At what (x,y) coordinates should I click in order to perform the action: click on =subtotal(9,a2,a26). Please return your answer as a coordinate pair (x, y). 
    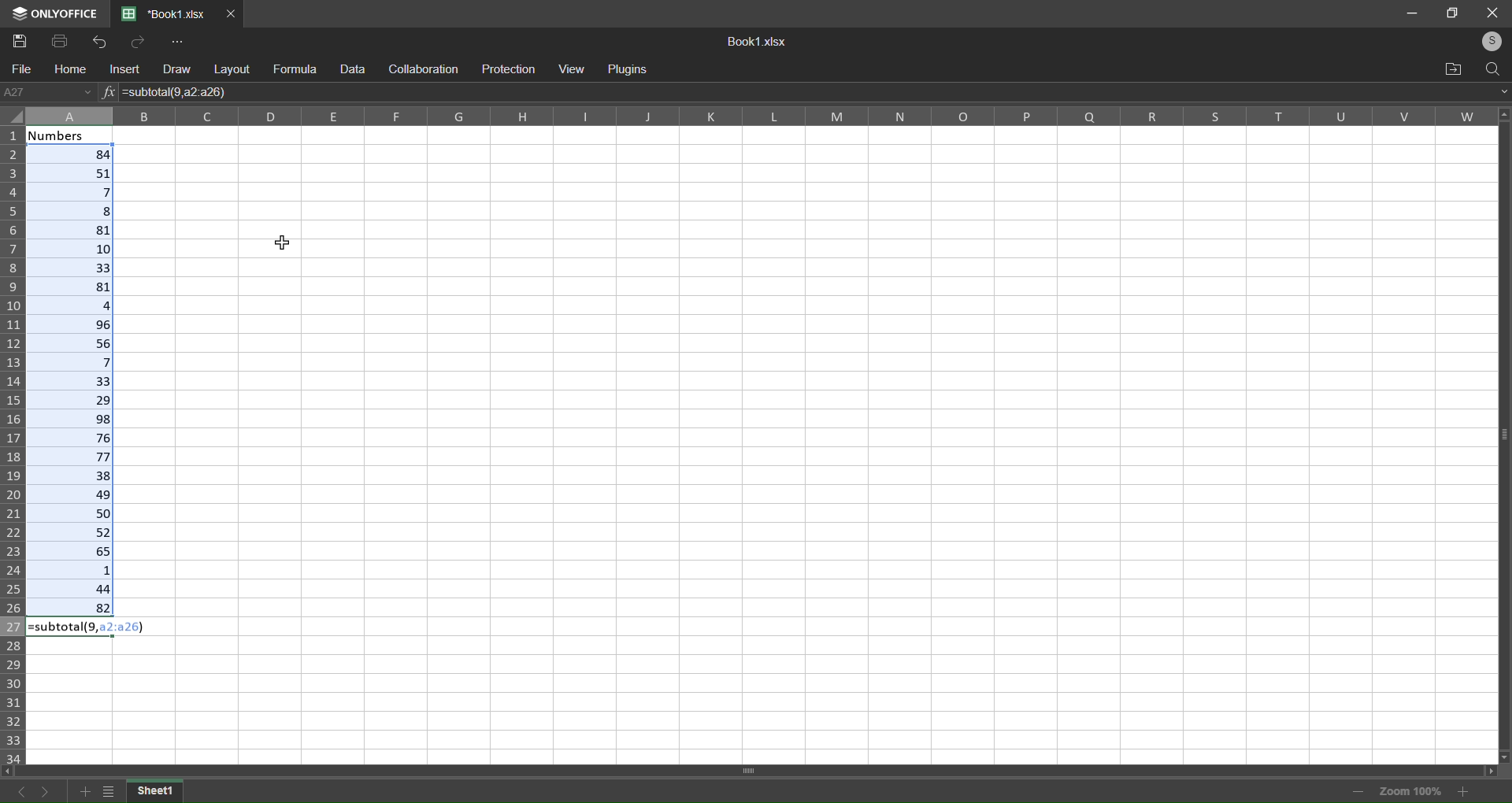
    Looking at the image, I should click on (180, 92).